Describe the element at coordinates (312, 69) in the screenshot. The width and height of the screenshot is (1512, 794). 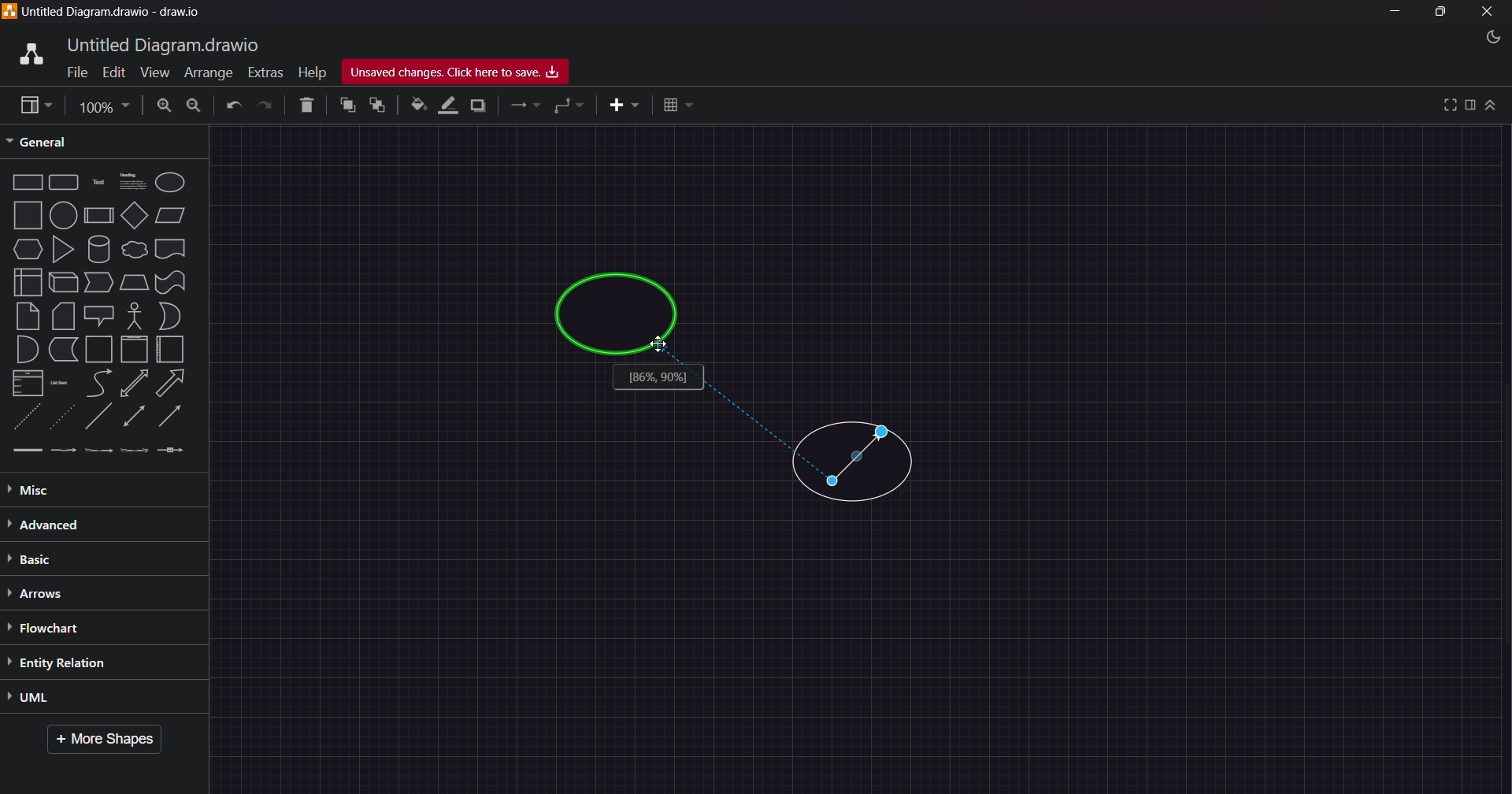
I see `Help` at that location.